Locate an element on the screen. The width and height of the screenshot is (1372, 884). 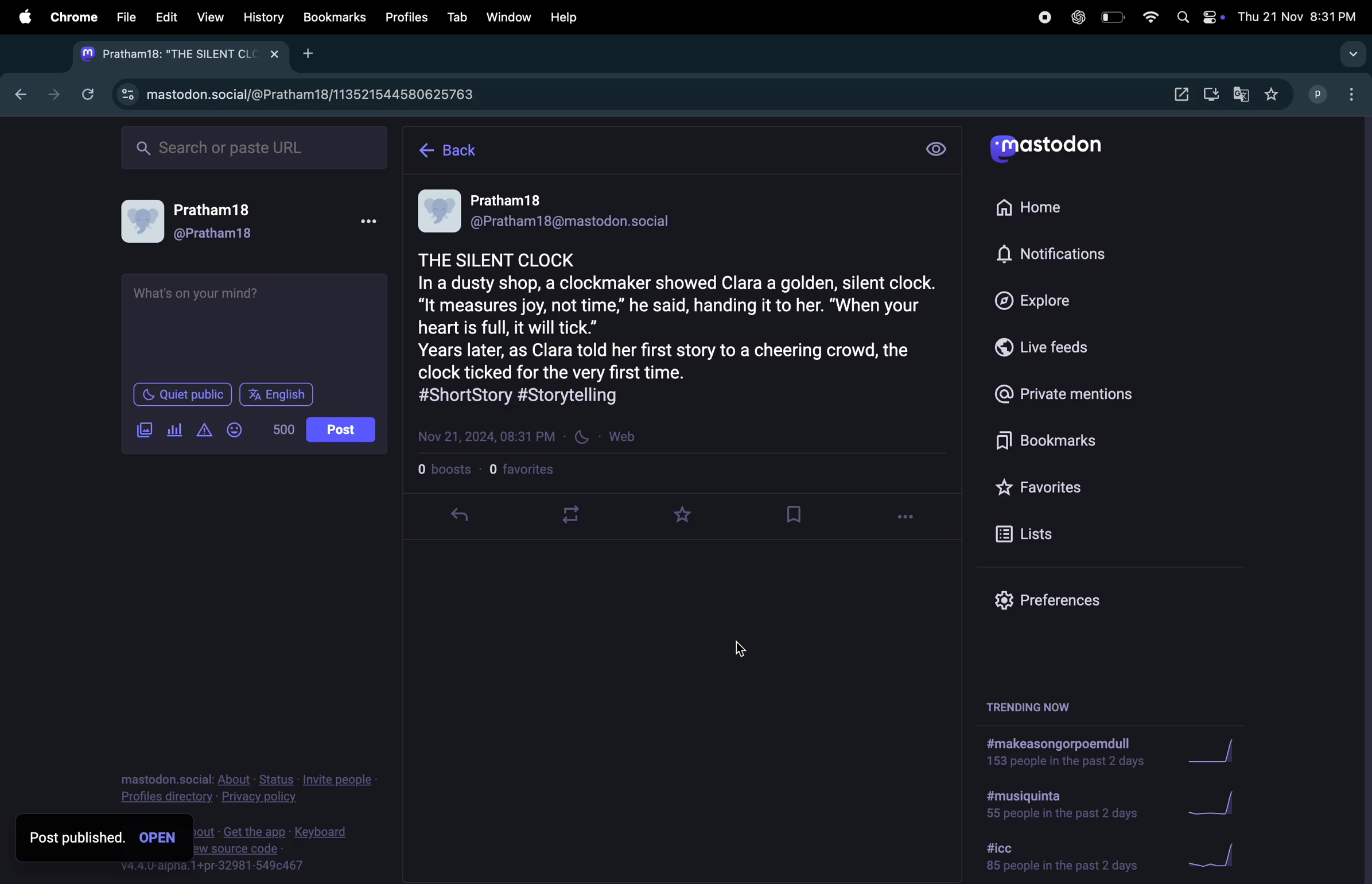
privacy policy is located at coordinates (247, 788).